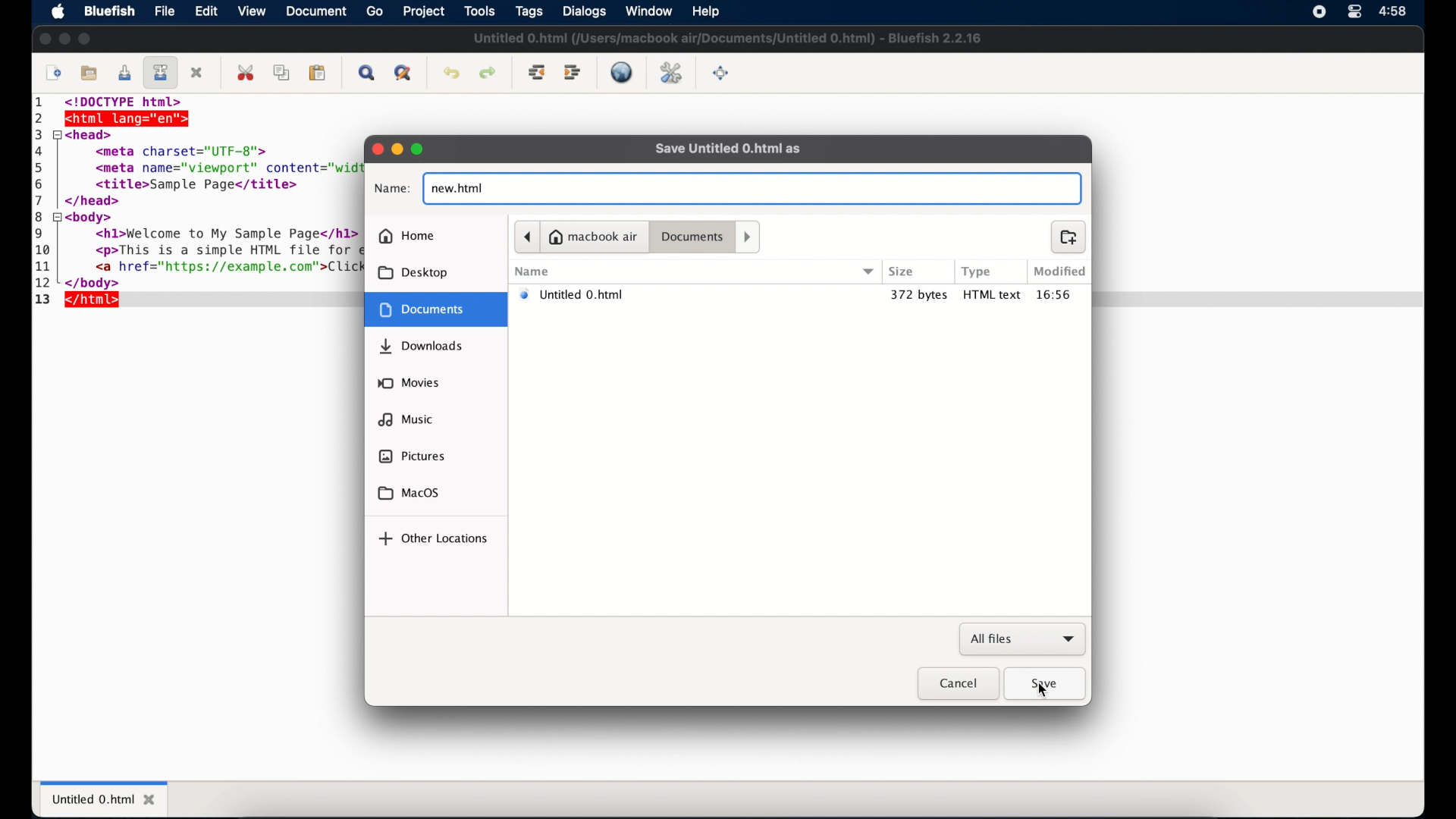 This screenshot has height=819, width=1456. Describe the element at coordinates (124, 73) in the screenshot. I see `save current file` at that location.